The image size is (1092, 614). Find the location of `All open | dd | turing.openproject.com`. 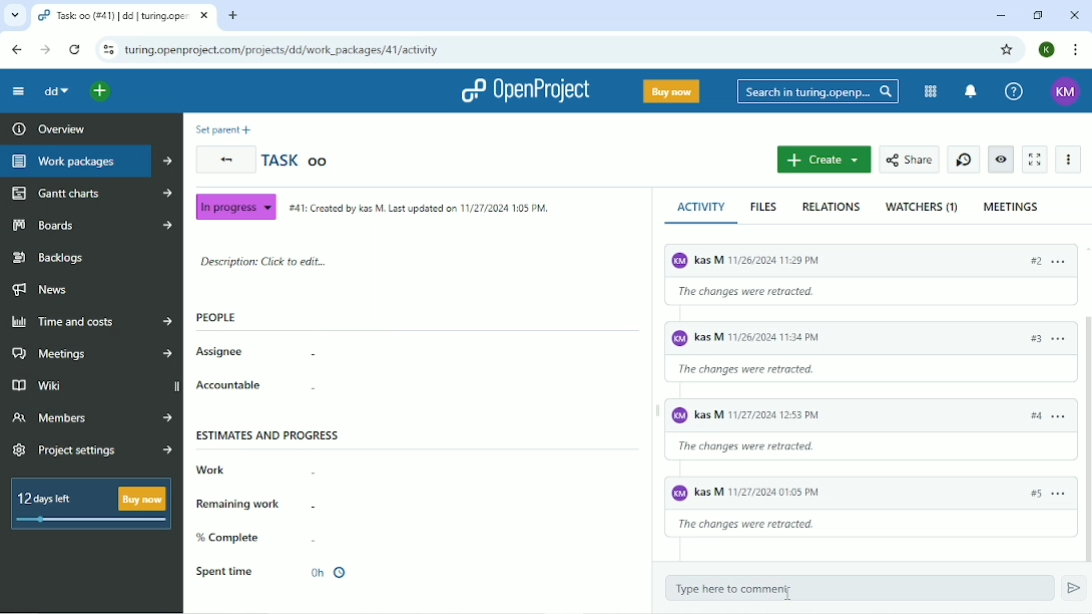

All open | dd | turing.openproject.com is located at coordinates (122, 16).